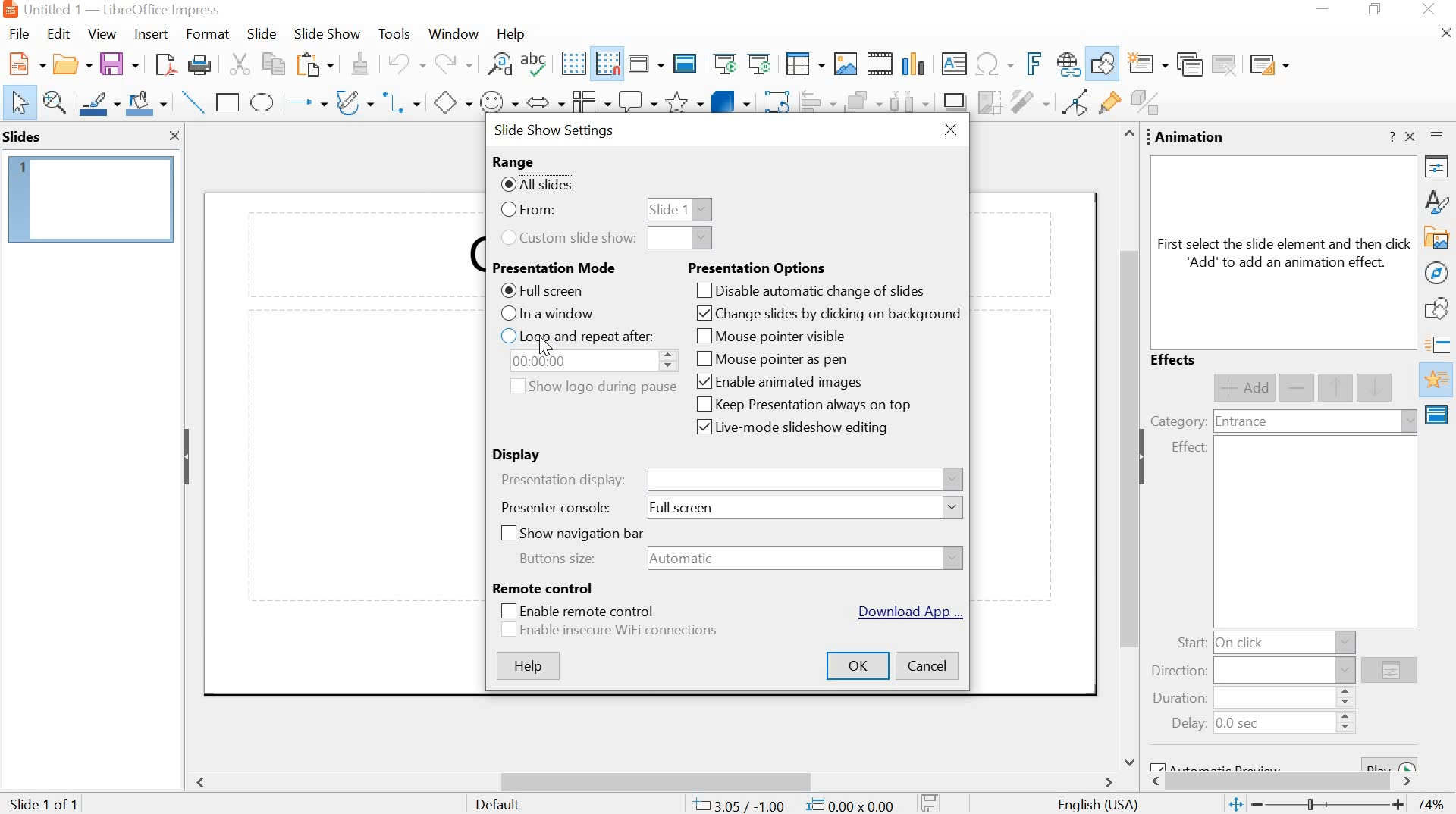  Describe the element at coordinates (1188, 65) in the screenshot. I see `duplicate slide` at that location.